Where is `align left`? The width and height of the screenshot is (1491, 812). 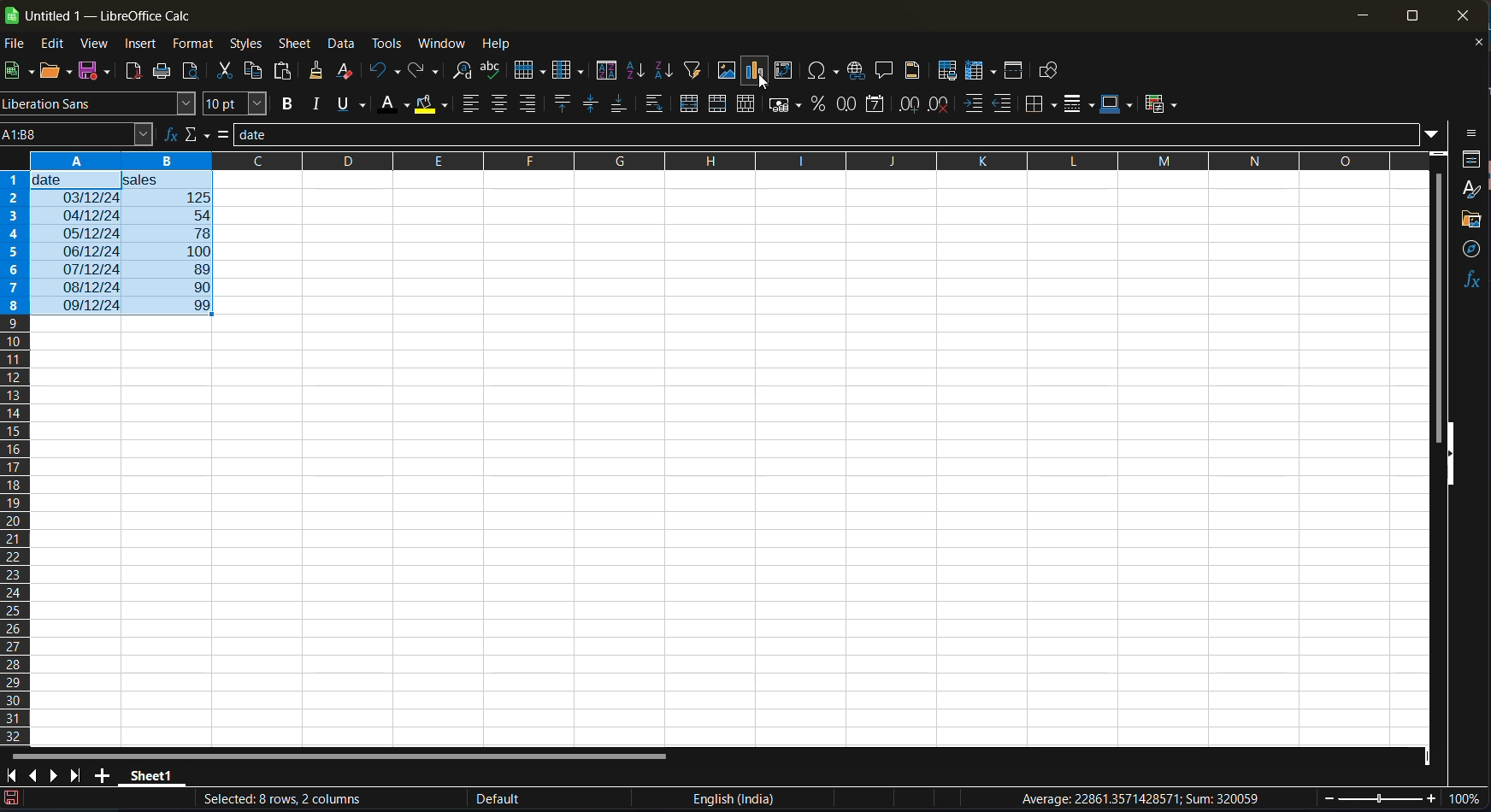
align left is located at coordinates (474, 103).